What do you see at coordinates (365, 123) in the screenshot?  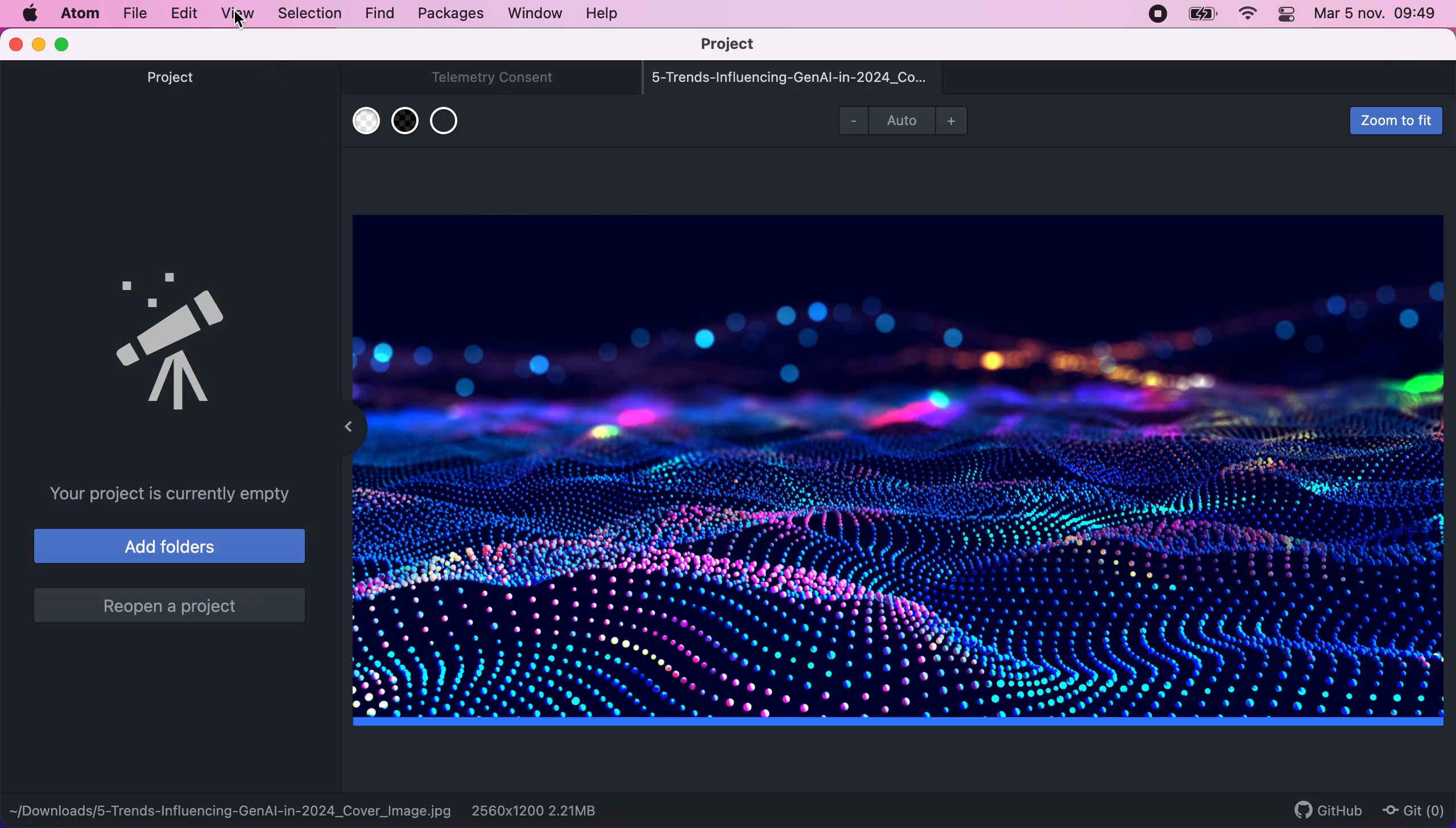 I see `use white transparent background` at bounding box center [365, 123].